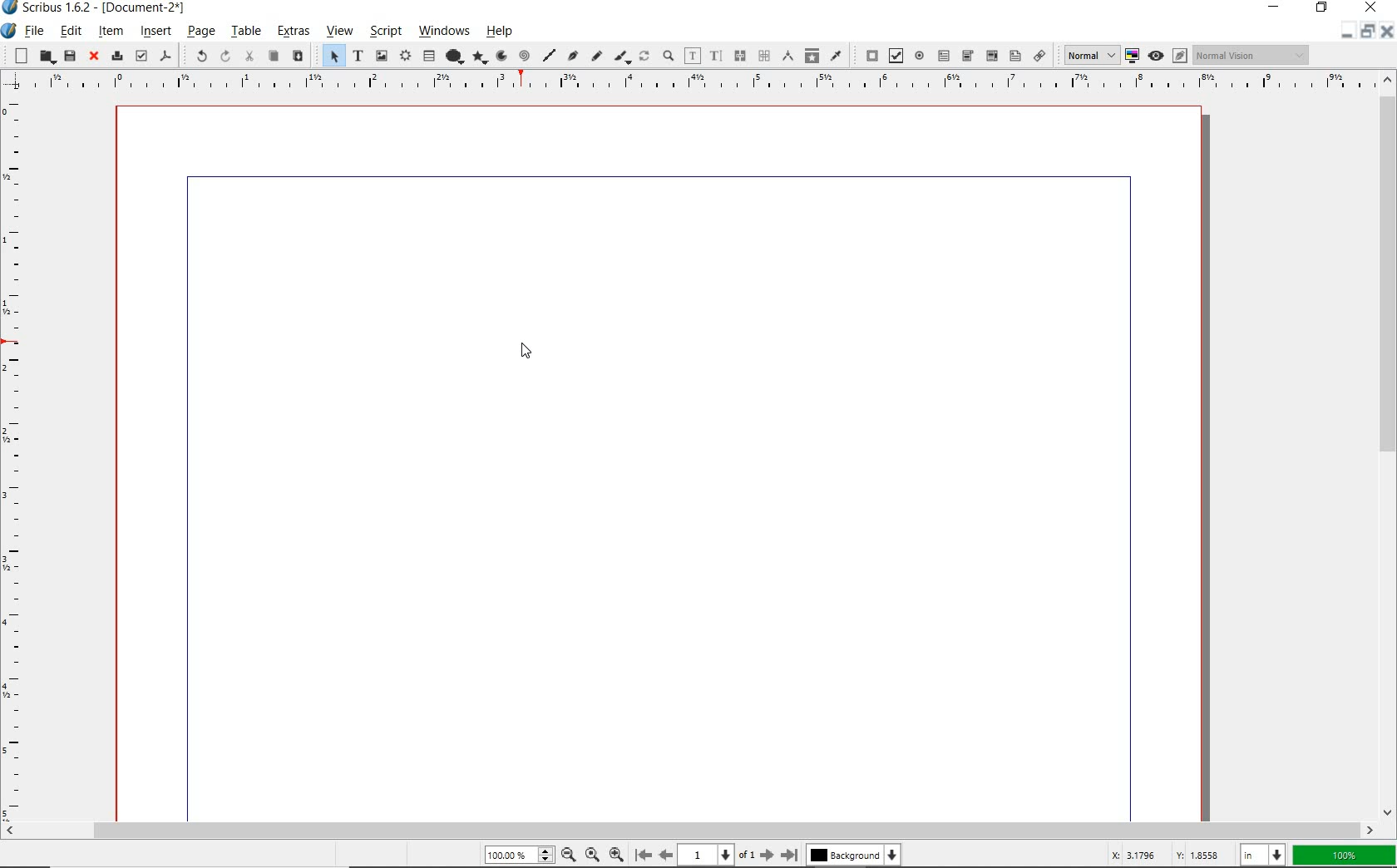  Describe the element at coordinates (1251, 55) in the screenshot. I see `visual appearance of display` at that location.